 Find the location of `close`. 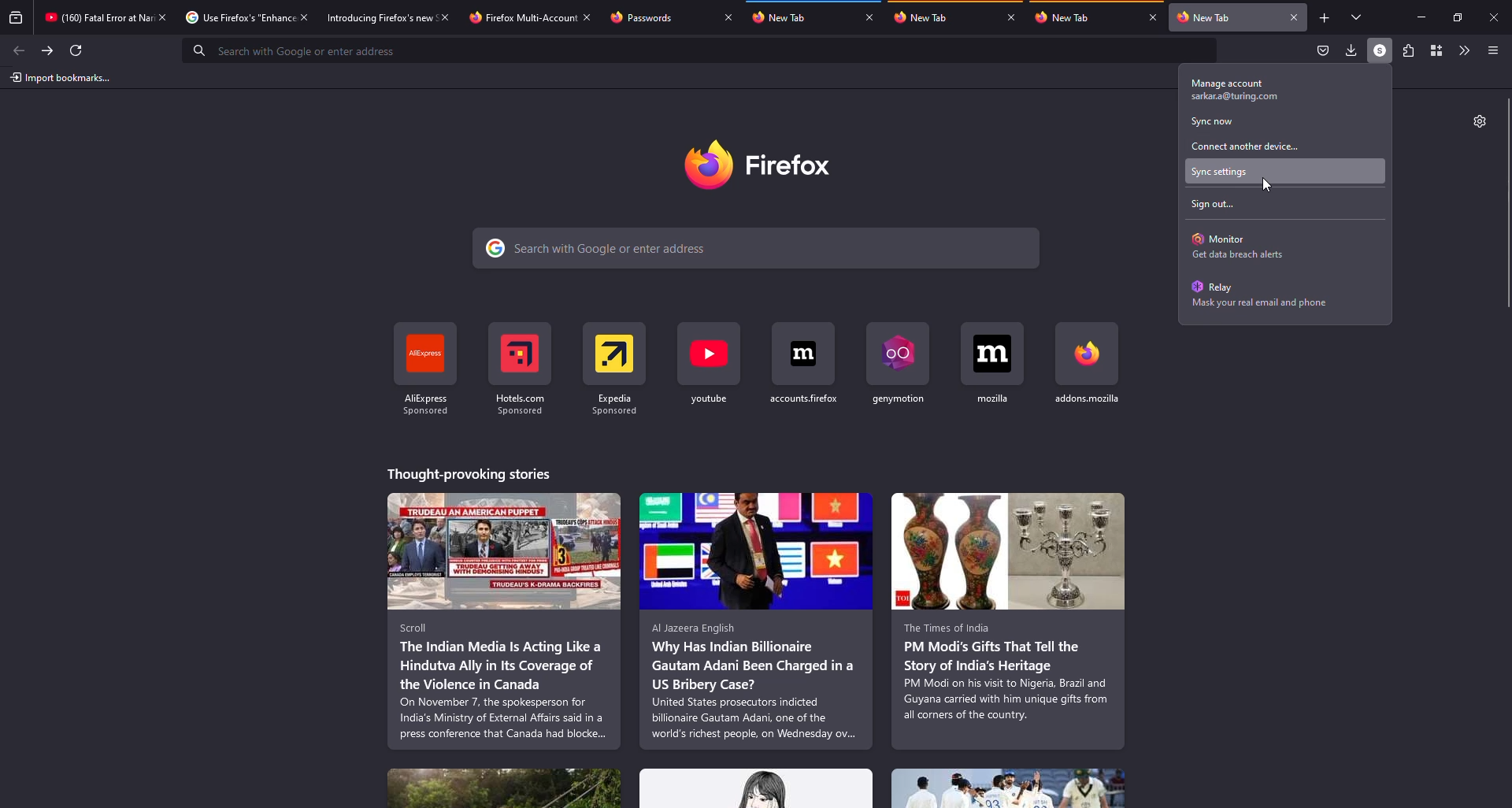

close is located at coordinates (1288, 17).